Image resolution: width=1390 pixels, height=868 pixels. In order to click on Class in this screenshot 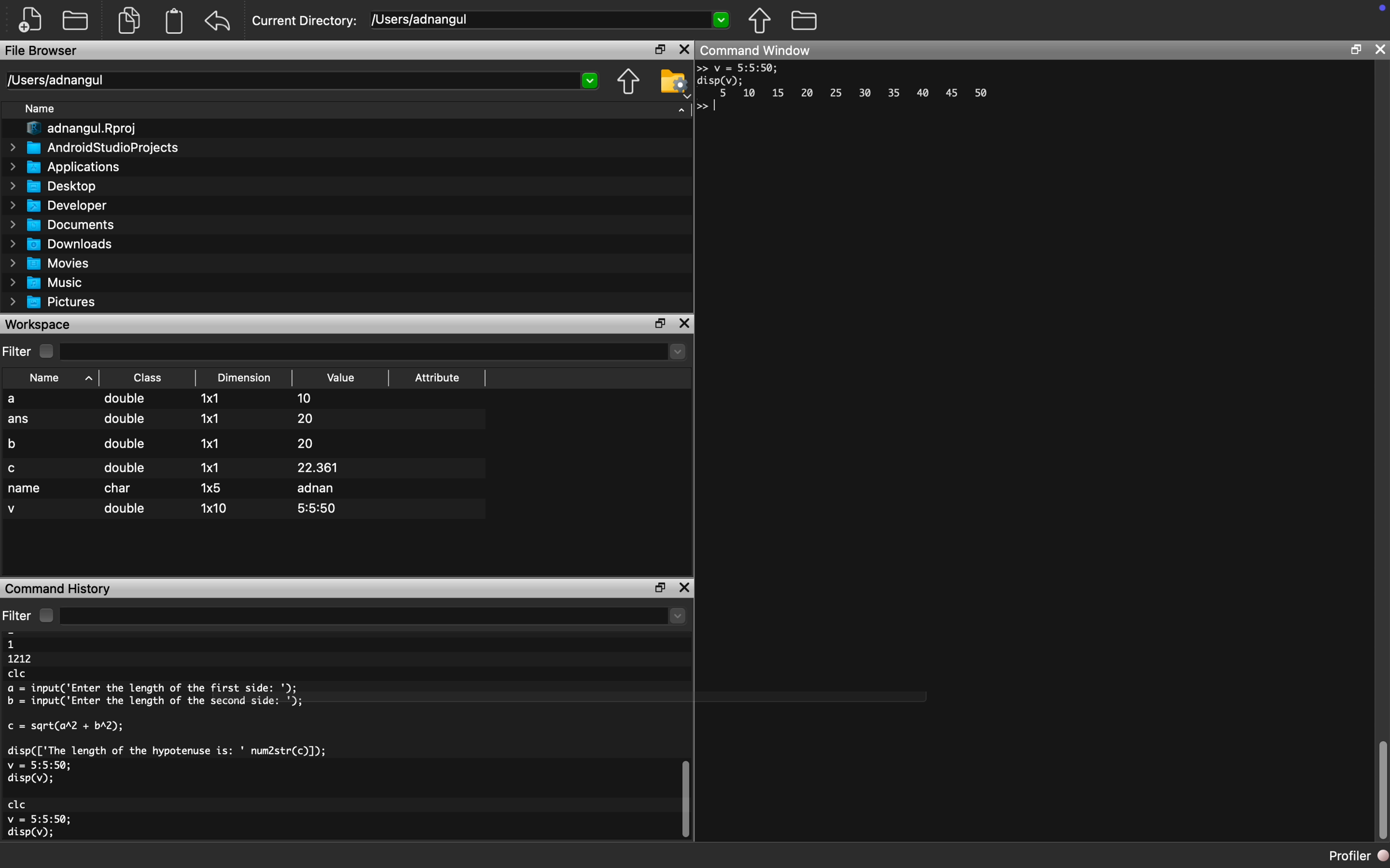, I will do `click(149, 377)`.